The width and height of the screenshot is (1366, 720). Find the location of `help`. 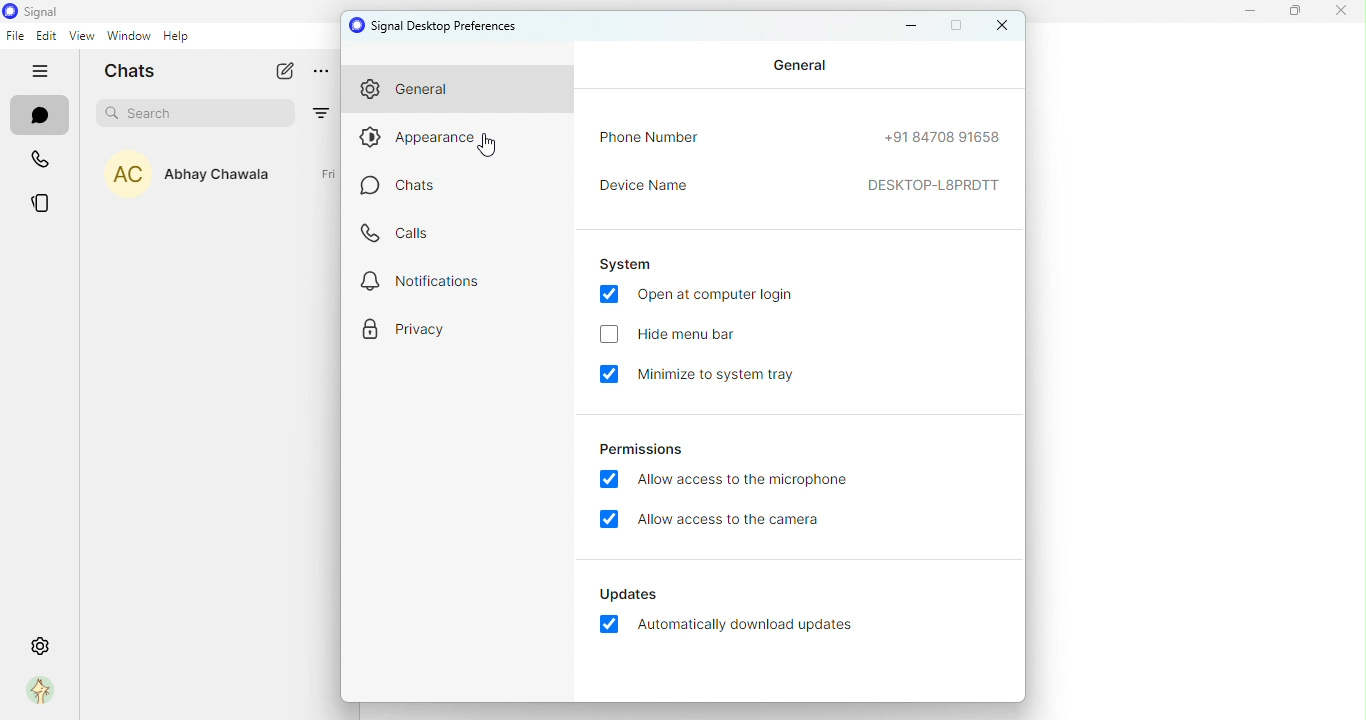

help is located at coordinates (177, 40).